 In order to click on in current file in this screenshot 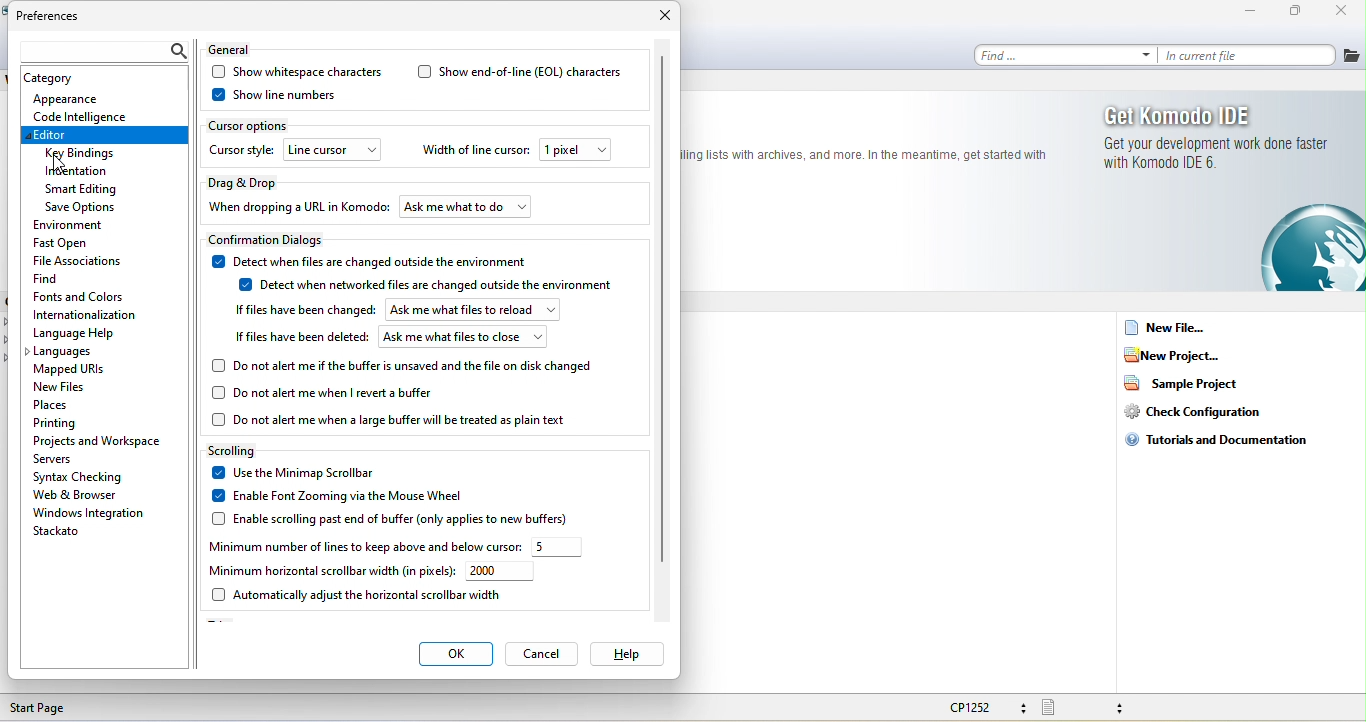, I will do `click(1250, 54)`.